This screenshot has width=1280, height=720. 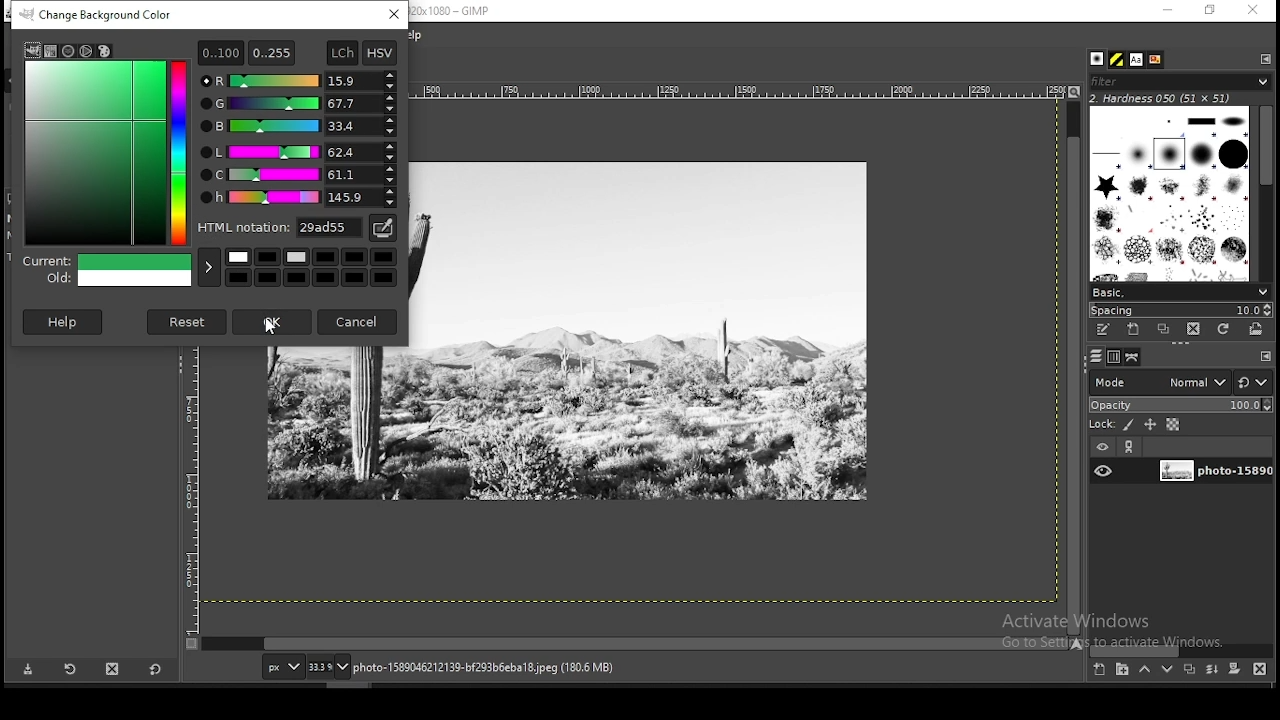 I want to click on filter brushes, so click(x=1180, y=81).